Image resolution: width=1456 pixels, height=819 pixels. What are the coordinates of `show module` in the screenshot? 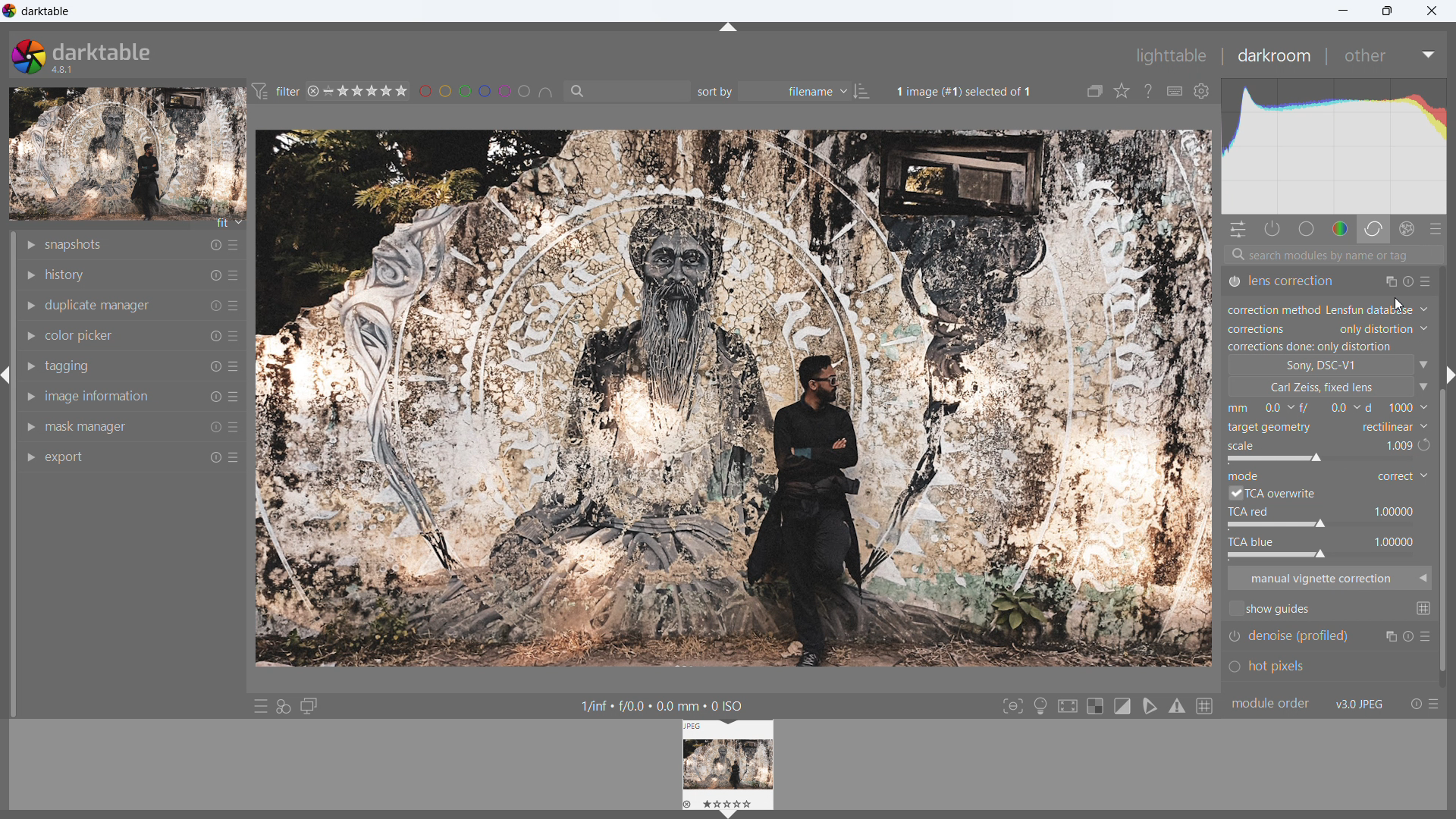 It's located at (28, 246).